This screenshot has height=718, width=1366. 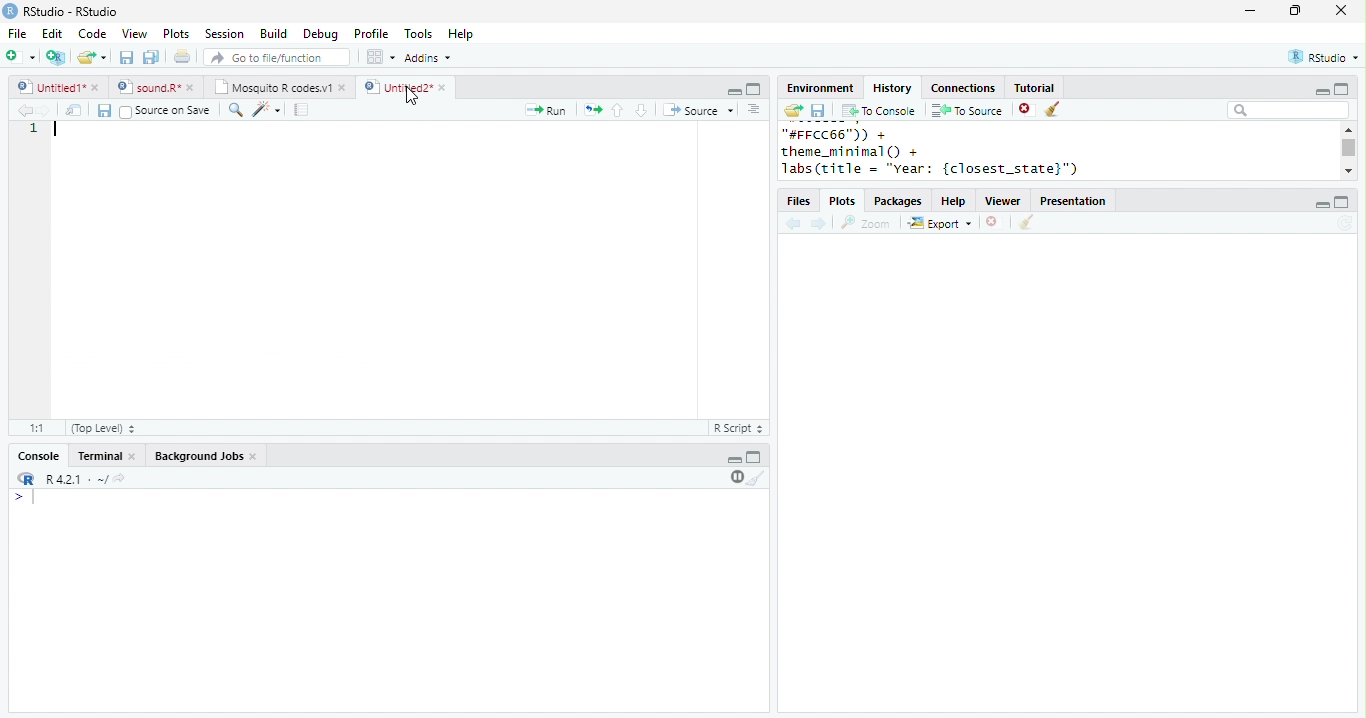 I want to click on clear, so click(x=1026, y=223).